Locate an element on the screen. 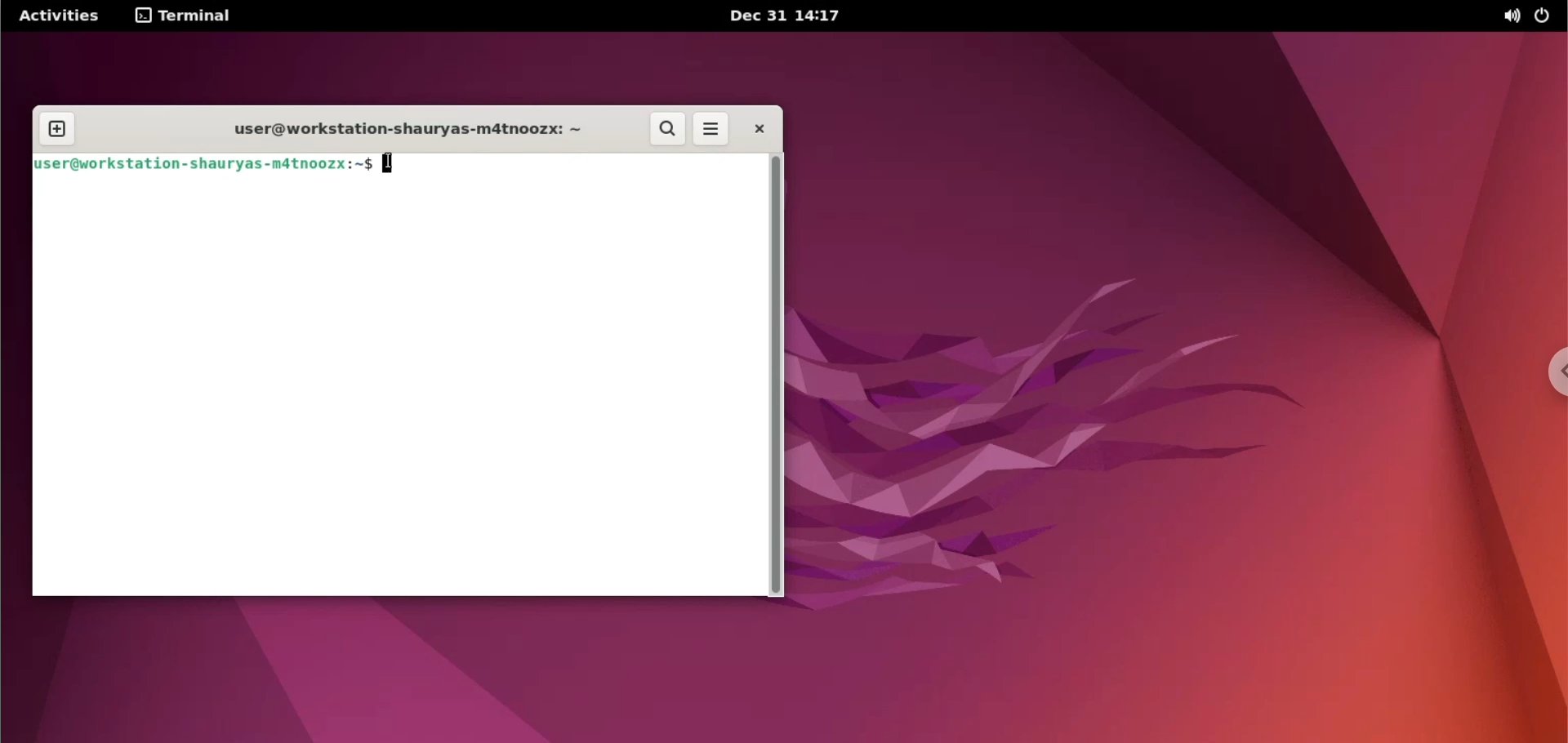 The height and width of the screenshot is (743, 1568). command input box is located at coordinates (394, 388).